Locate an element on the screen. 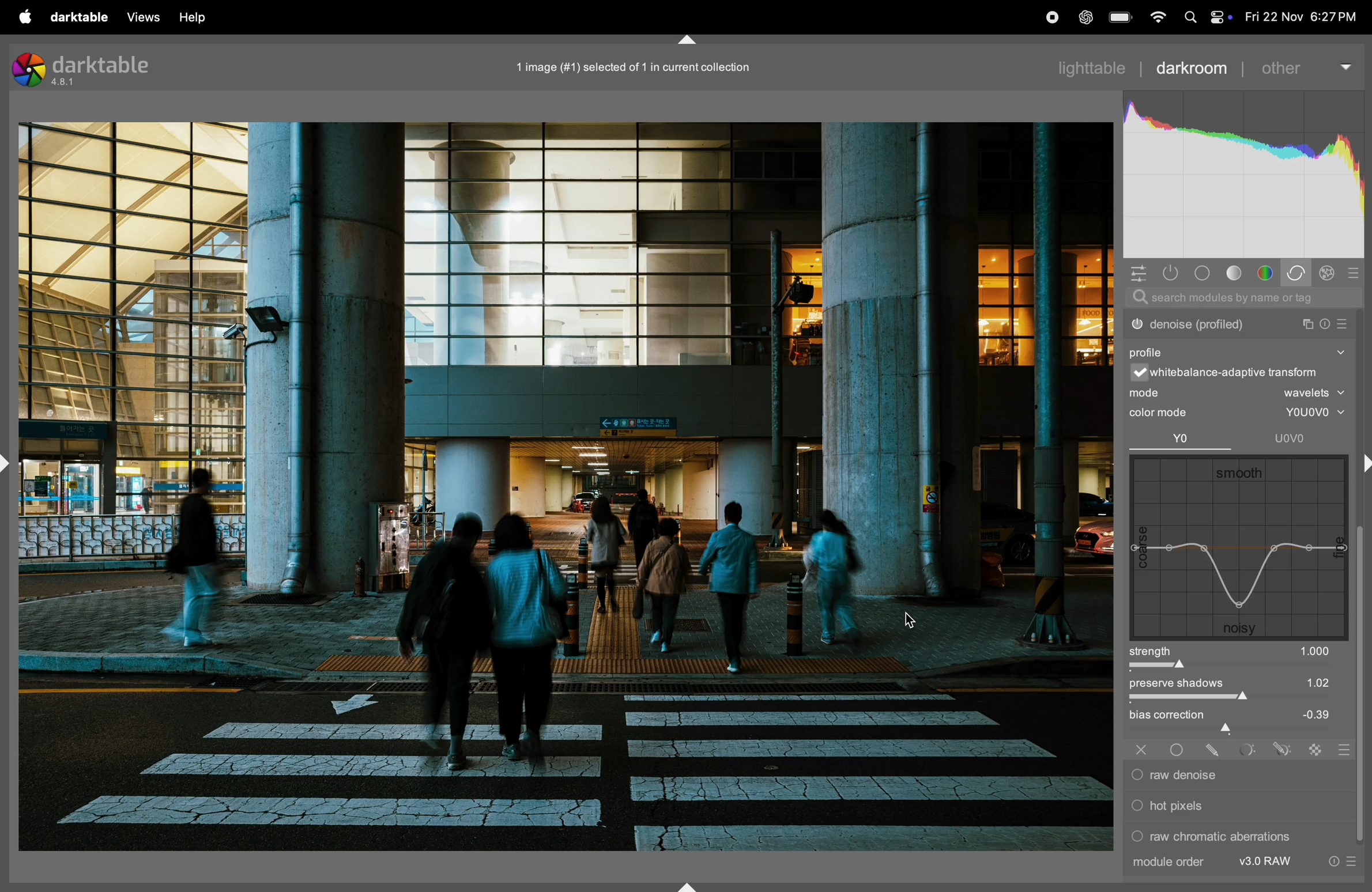 This screenshot has width=1372, height=892. blending options is located at coordinates (1343, 749).